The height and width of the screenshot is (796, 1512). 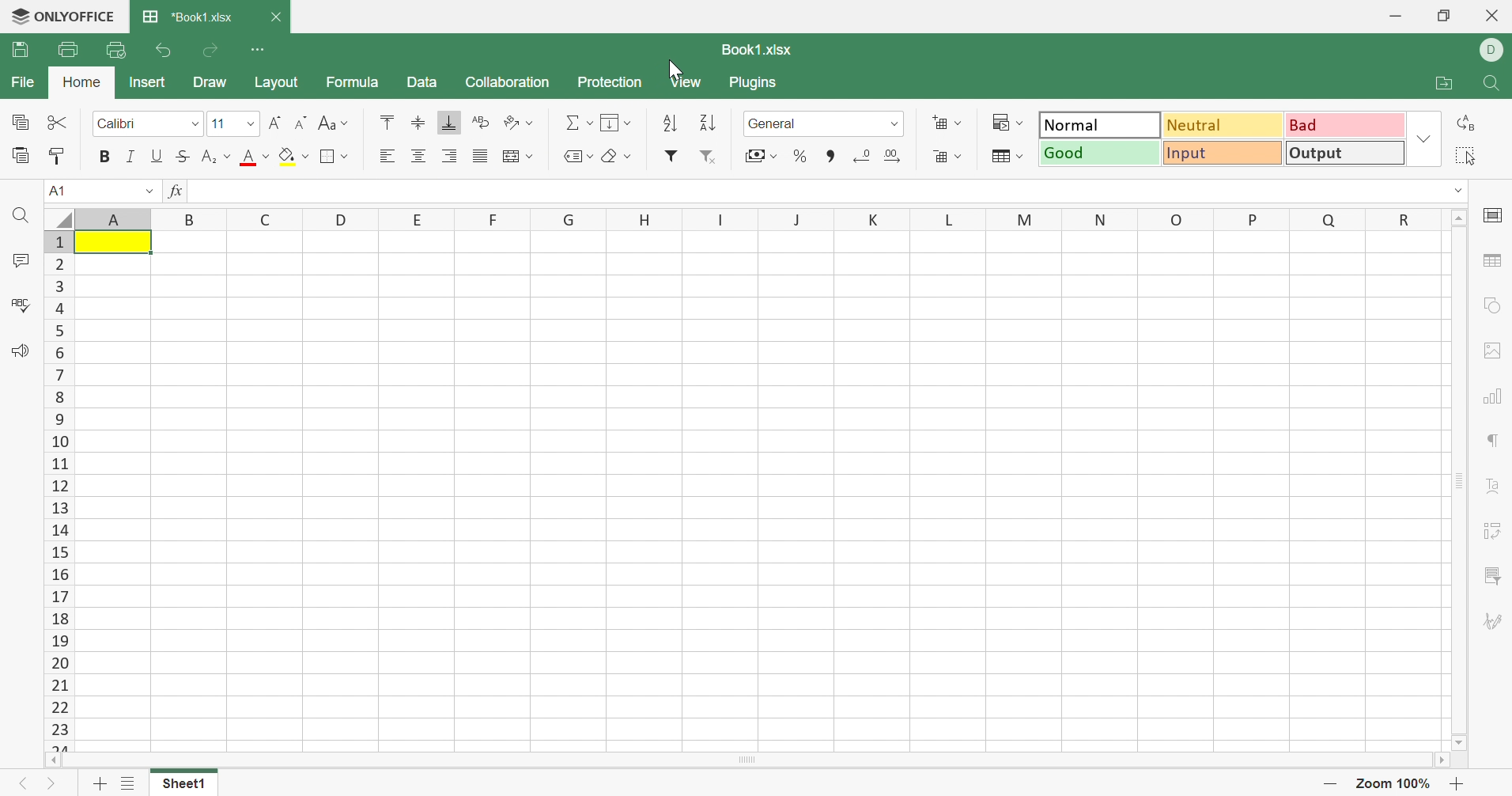 I want to click on Bad, so click(x=1345, y=126).